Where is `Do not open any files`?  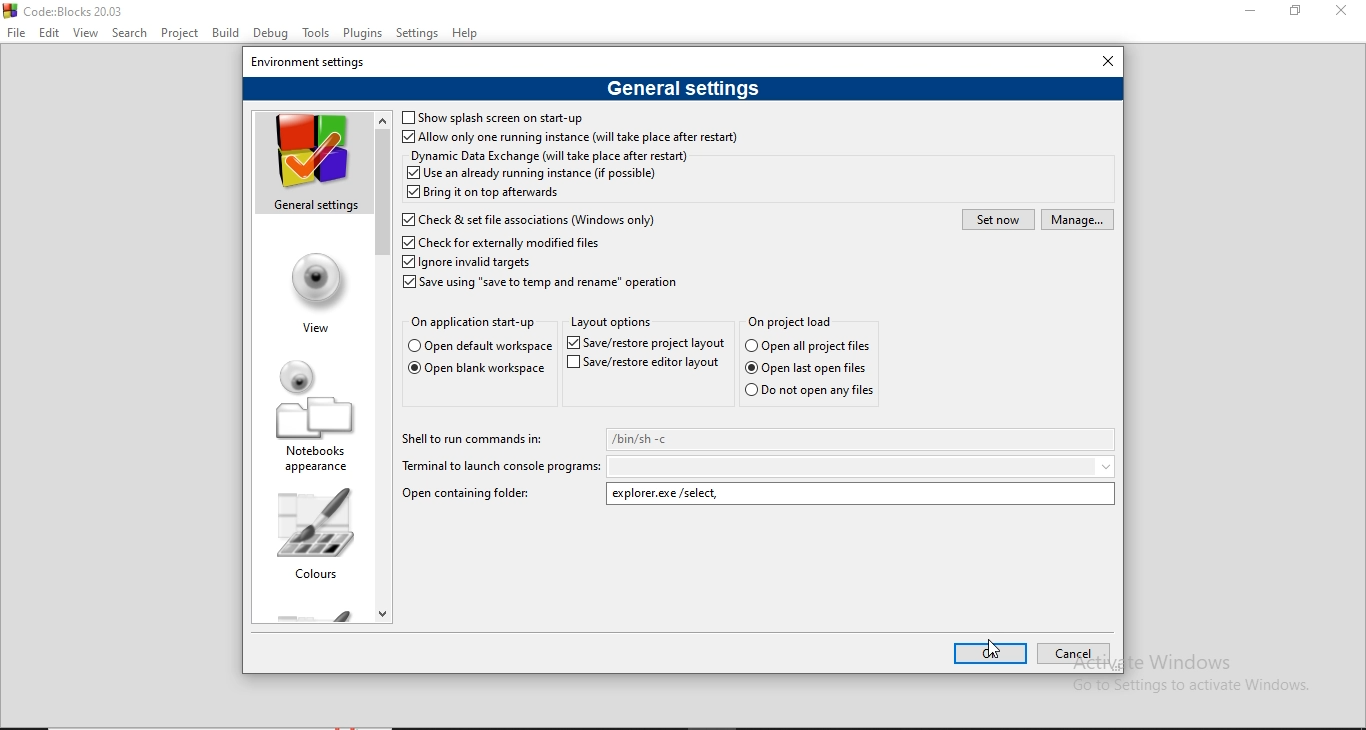 Do not open any files is located at coordinates (811, 391).